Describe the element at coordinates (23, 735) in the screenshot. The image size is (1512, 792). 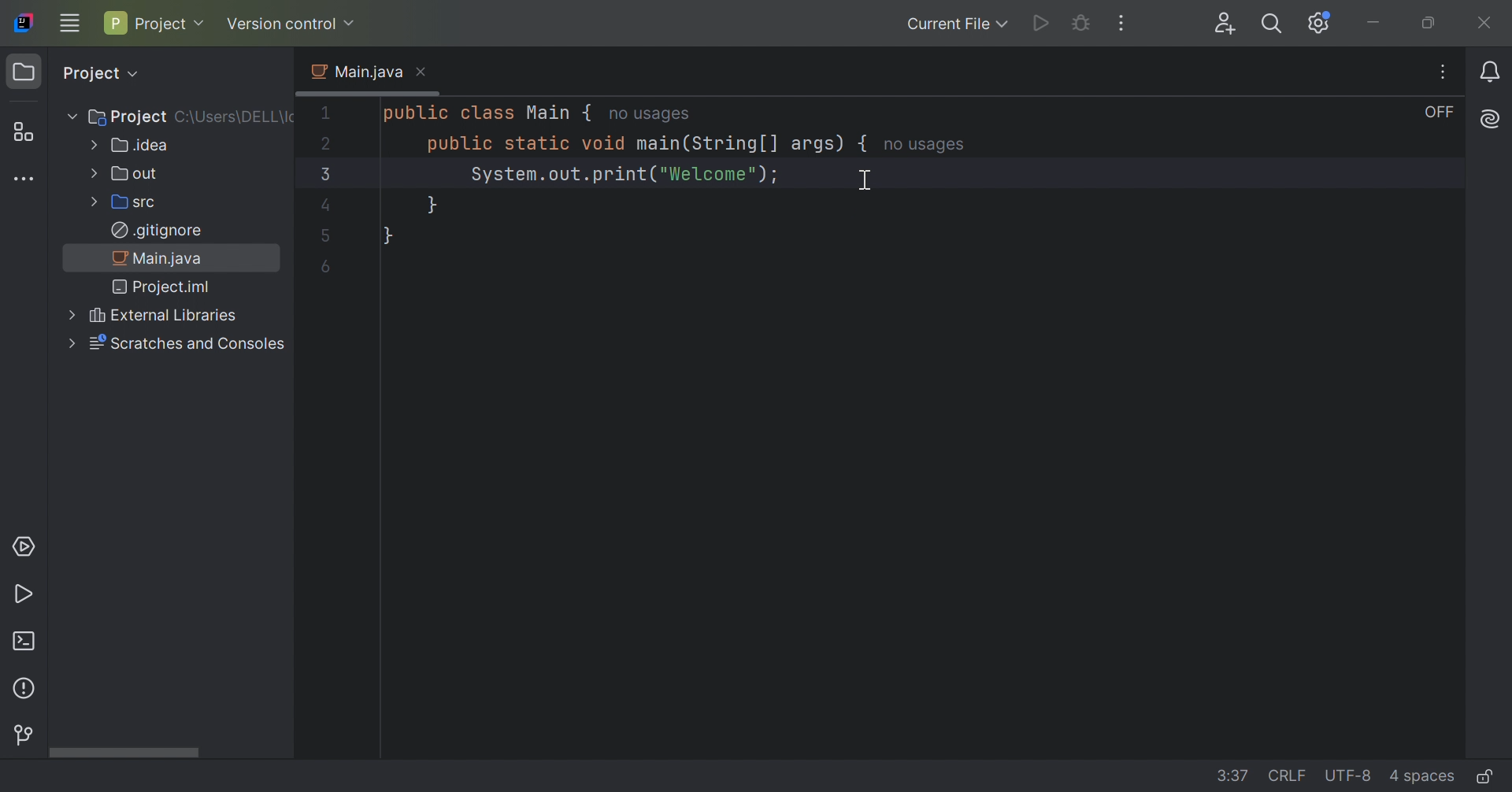
I see `Version control` at that location.